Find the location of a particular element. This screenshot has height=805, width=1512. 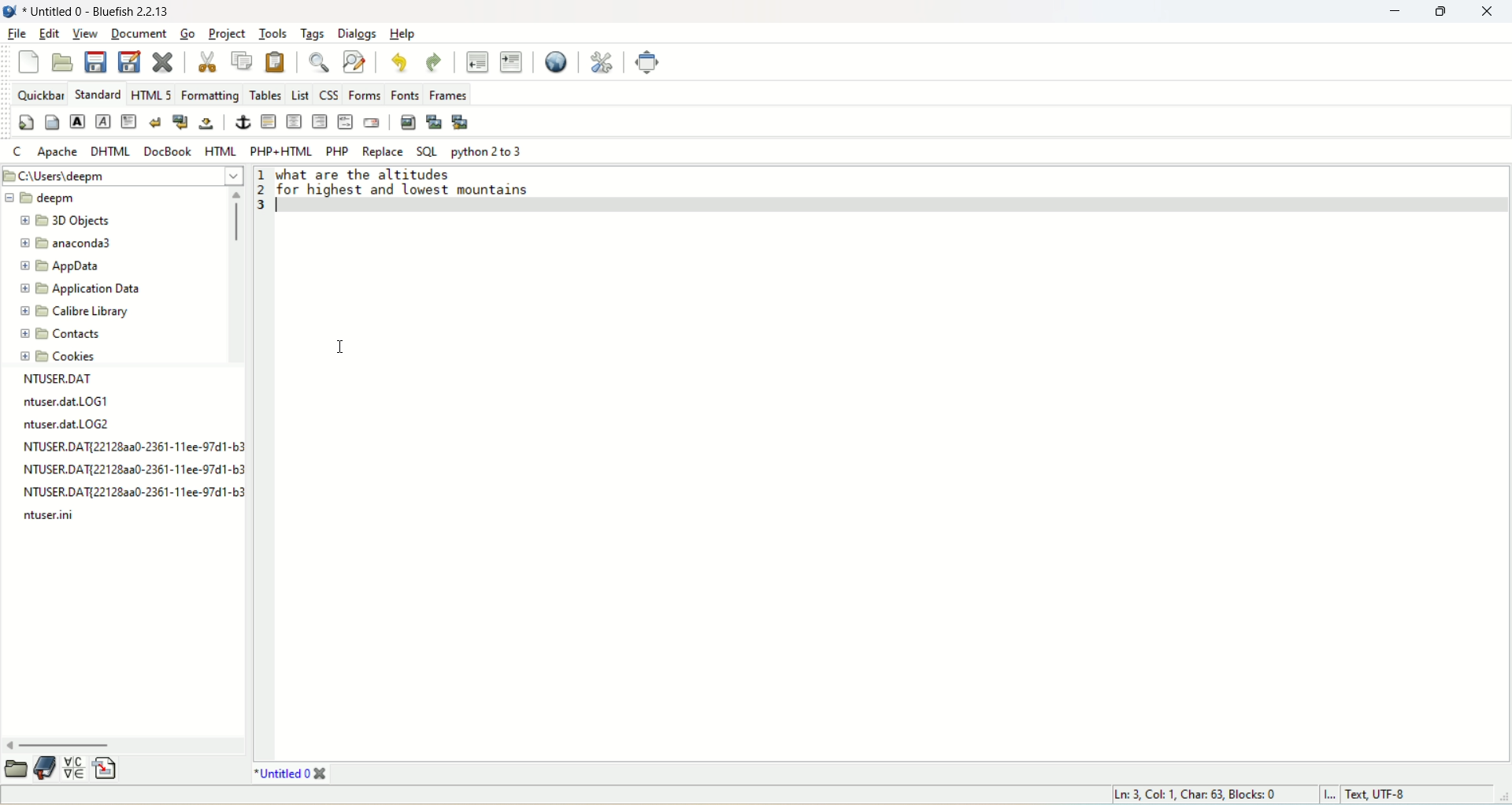

help is located at coordinates (402, 32).